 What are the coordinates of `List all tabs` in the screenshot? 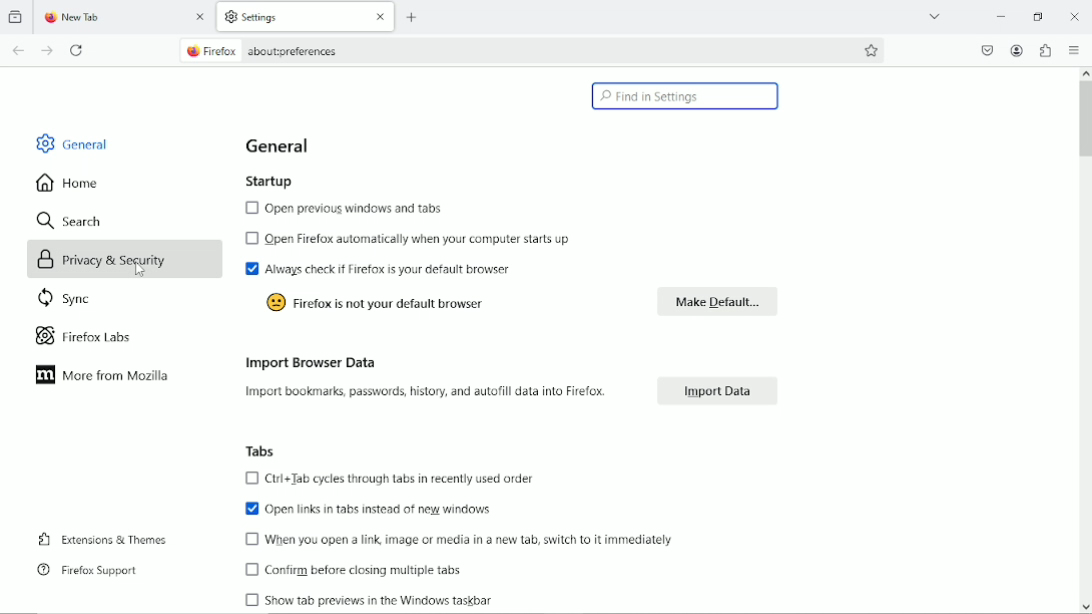 It's located at (934, 15).